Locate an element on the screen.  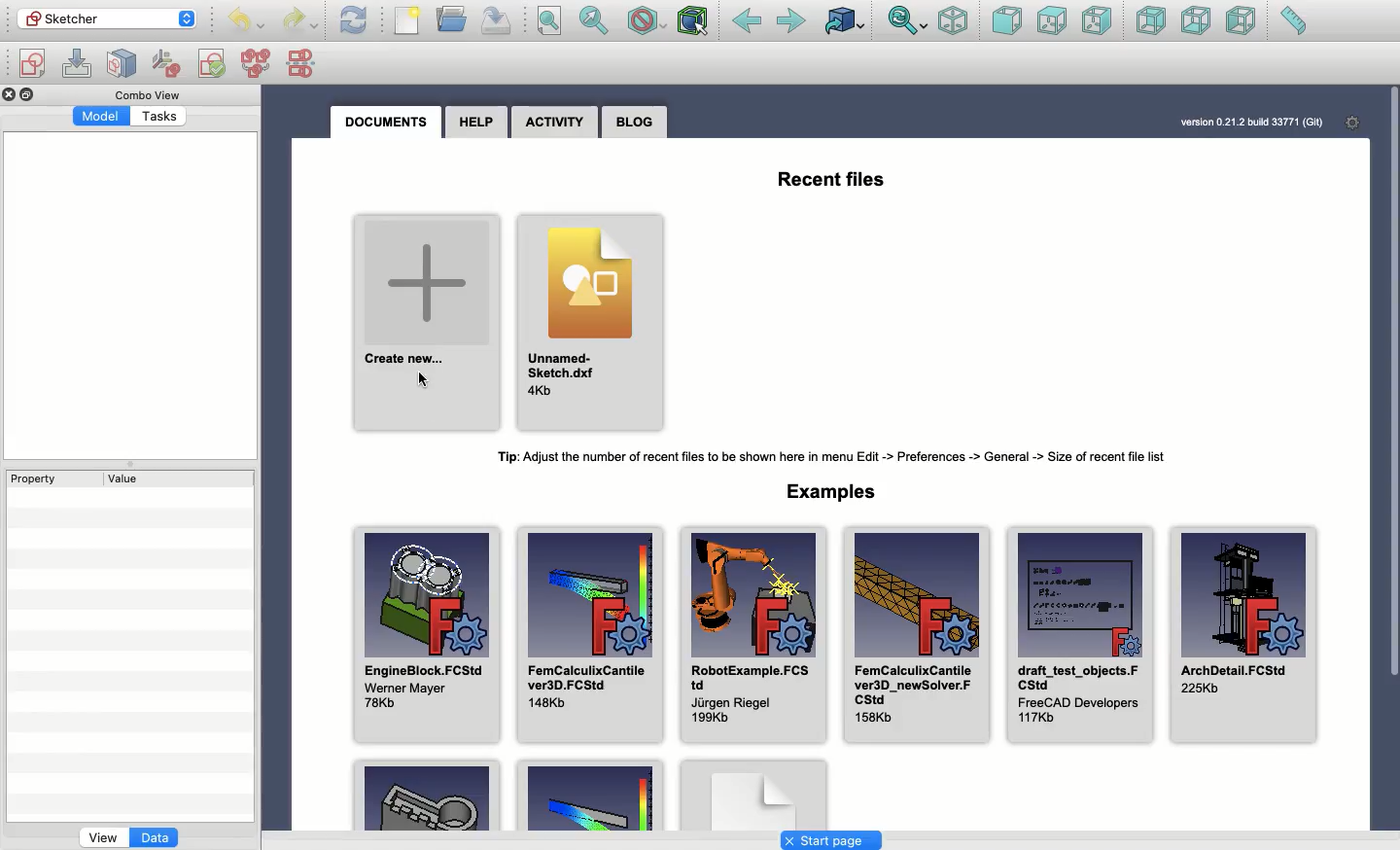
Fit all is located at coordinates (549, 20).